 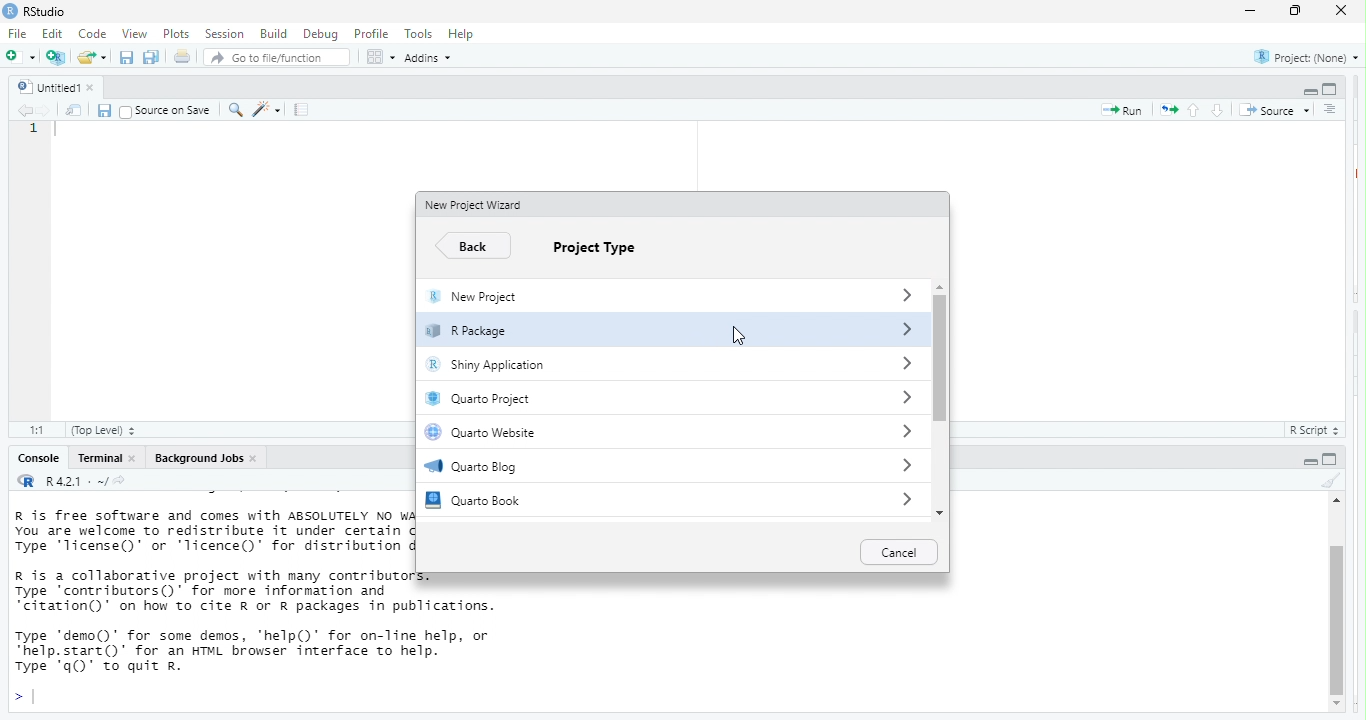 I want to click on Profile, so click(x=373, y=34).